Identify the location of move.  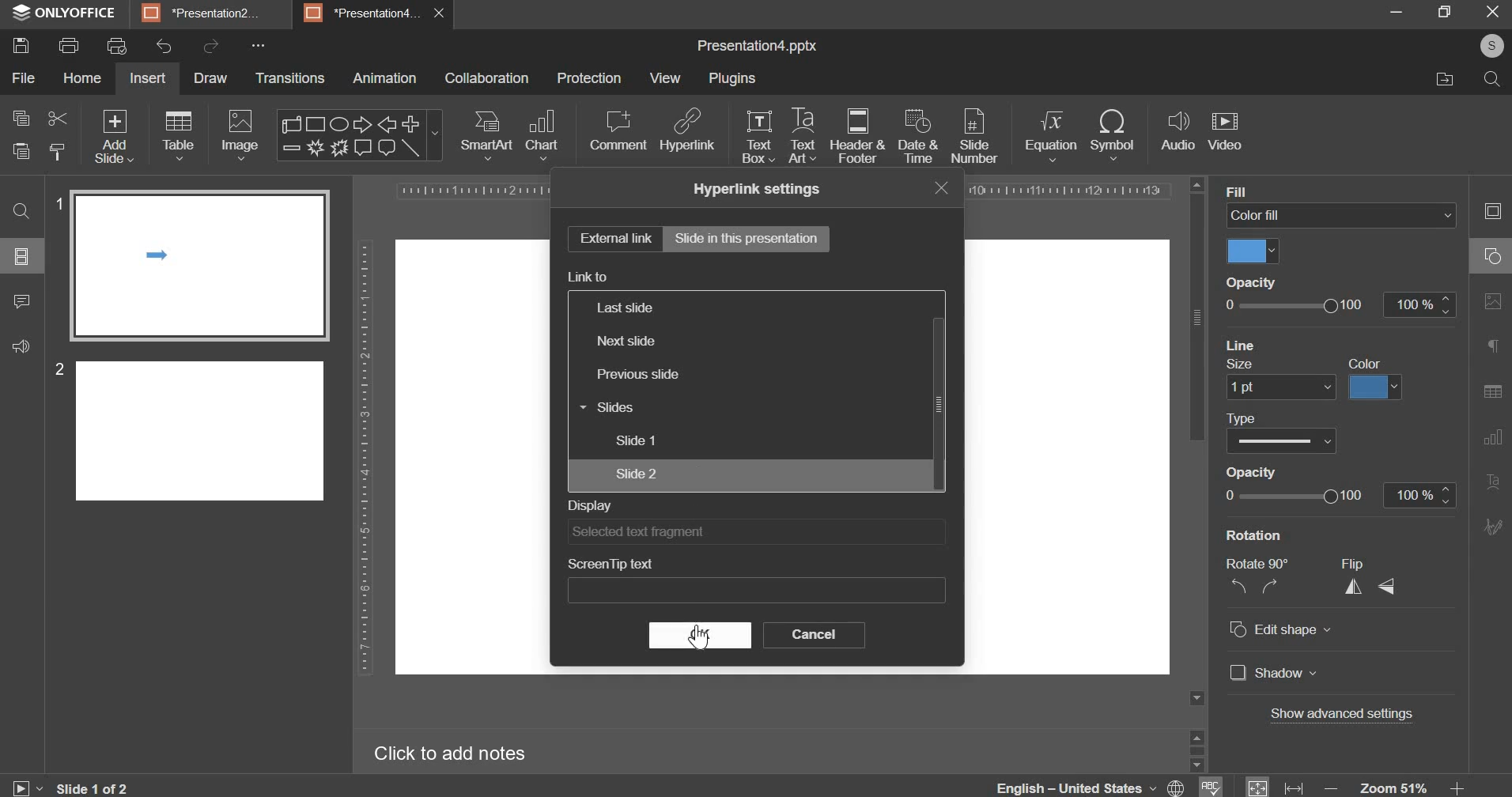
(1441, 81).